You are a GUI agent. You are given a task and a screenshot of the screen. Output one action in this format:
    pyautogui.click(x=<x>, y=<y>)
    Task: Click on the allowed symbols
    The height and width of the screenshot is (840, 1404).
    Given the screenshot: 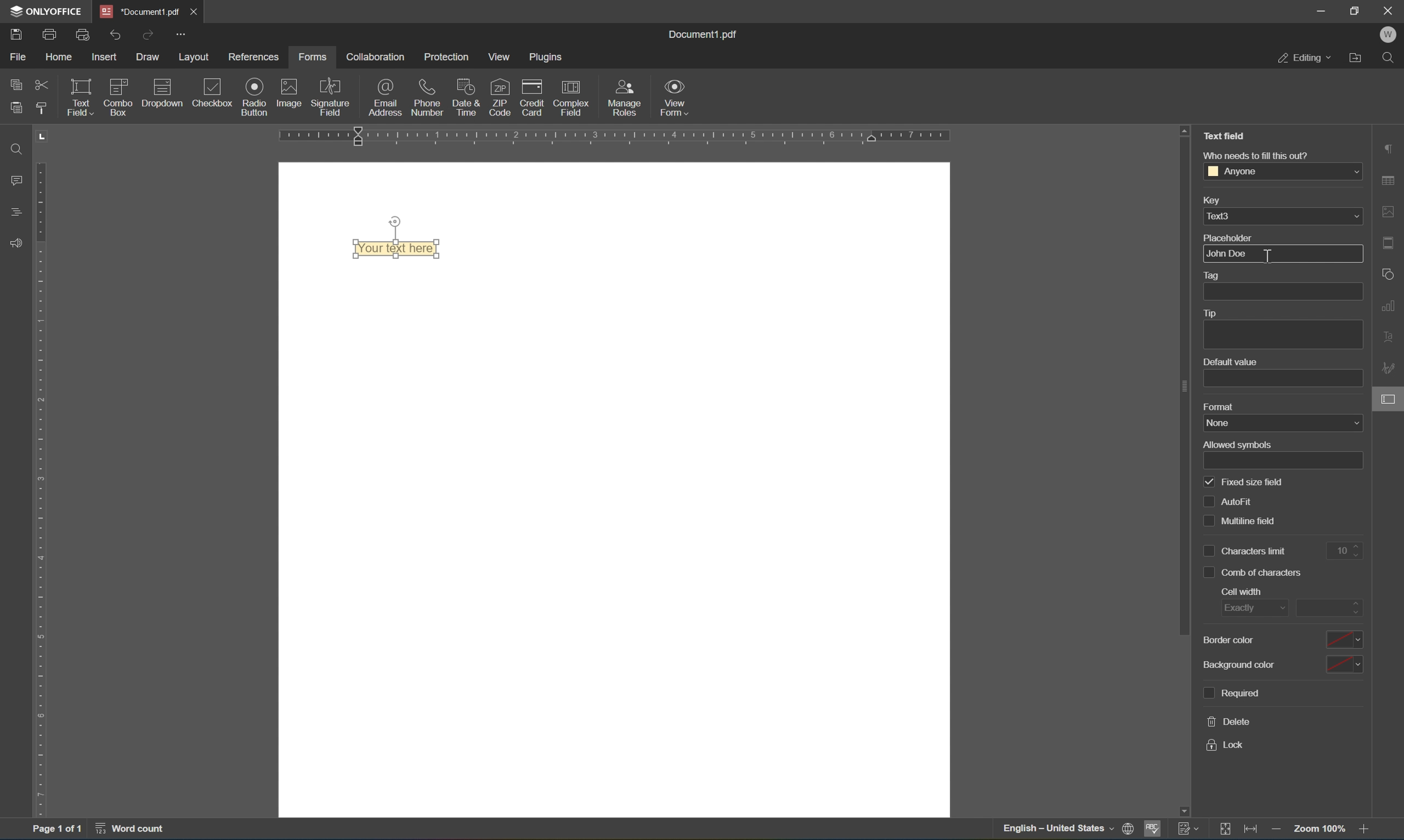 What is the action you would take?
    pyautogui.click(x=1235, y=444)
    